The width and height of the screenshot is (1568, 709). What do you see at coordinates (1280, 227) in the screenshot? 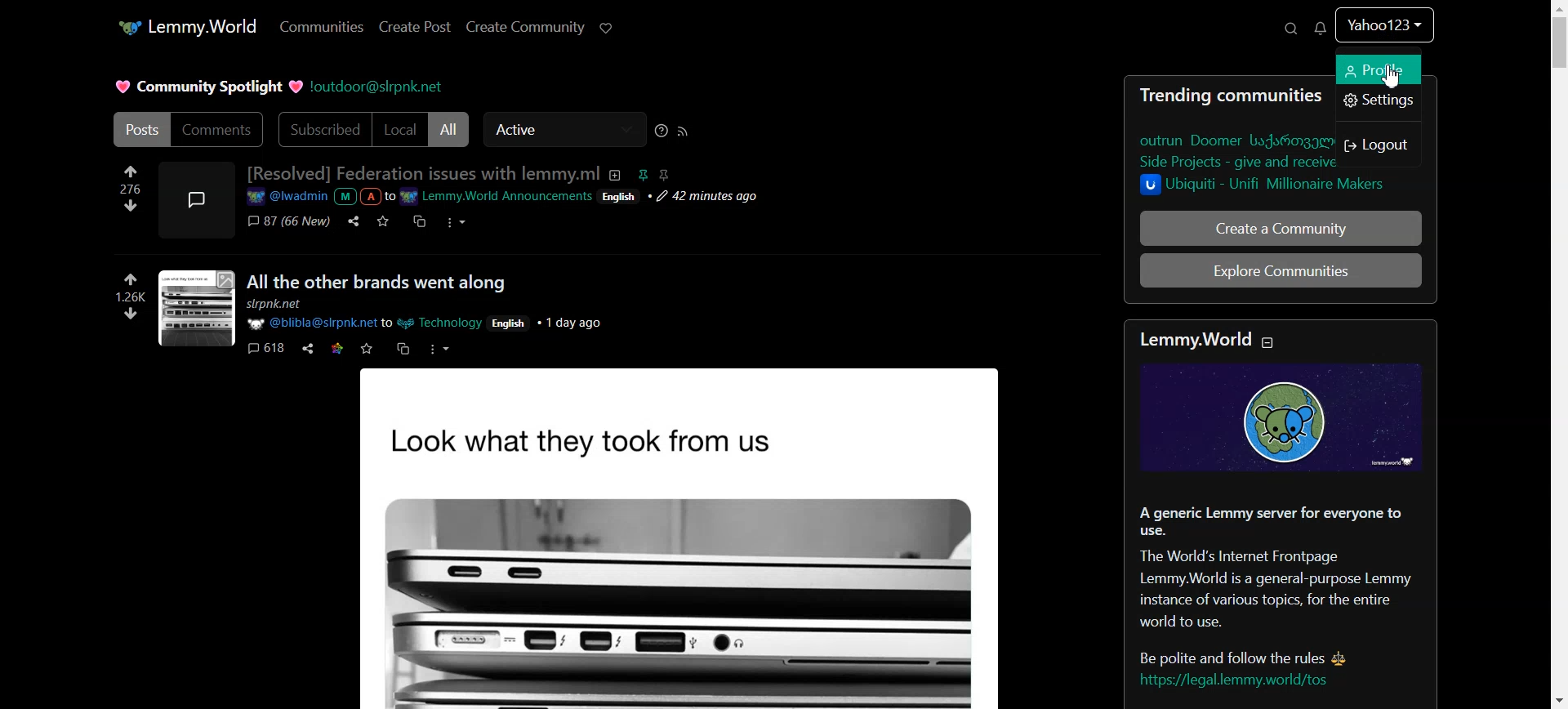
I see `Create a Community` at bounding box center [1280, 227].